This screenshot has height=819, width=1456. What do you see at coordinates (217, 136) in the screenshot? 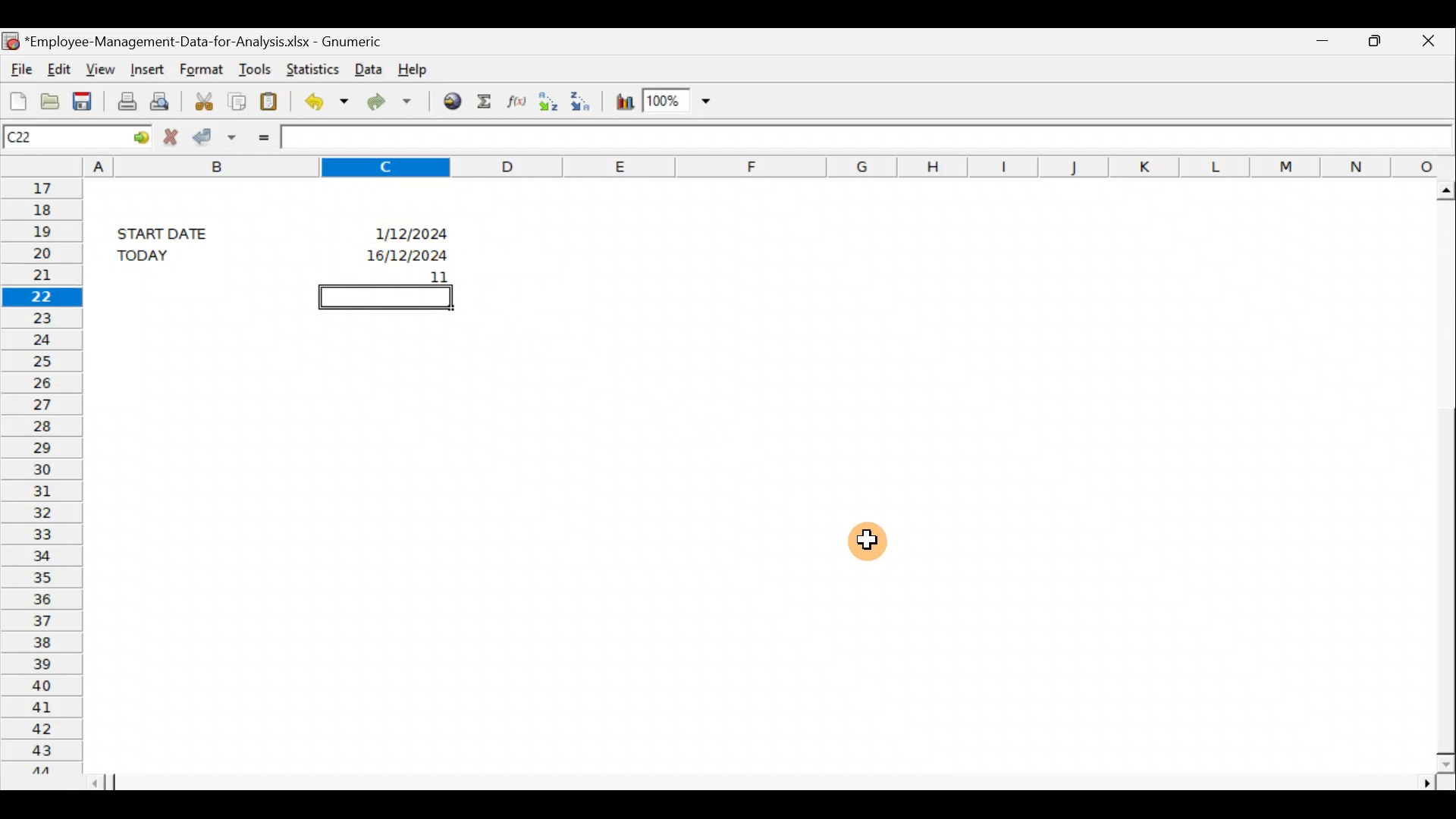
I see `Accept change` at bounding box center [217, 136].